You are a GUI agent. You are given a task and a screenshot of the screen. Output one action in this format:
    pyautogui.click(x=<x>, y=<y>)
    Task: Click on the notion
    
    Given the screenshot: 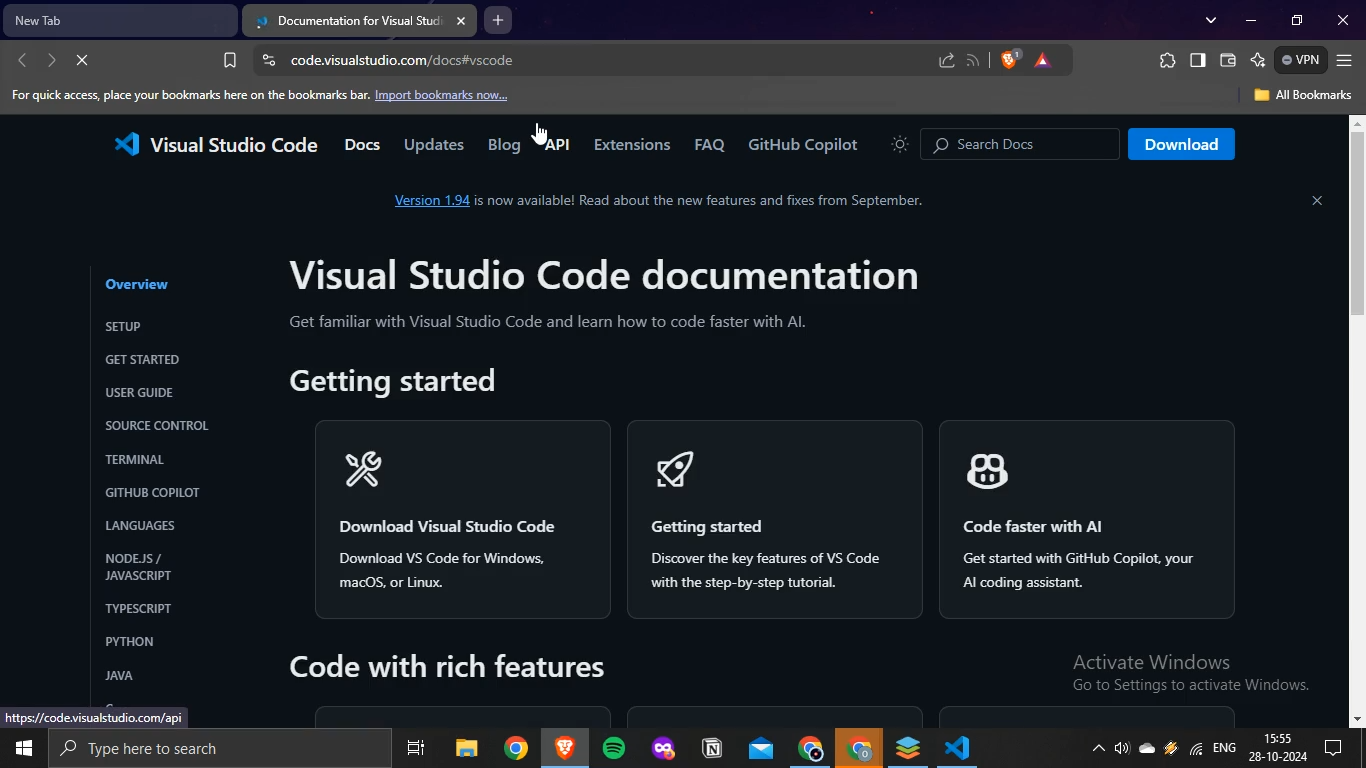 What is the action you would take?
    pyautogui.click(x=711, y=748)
    